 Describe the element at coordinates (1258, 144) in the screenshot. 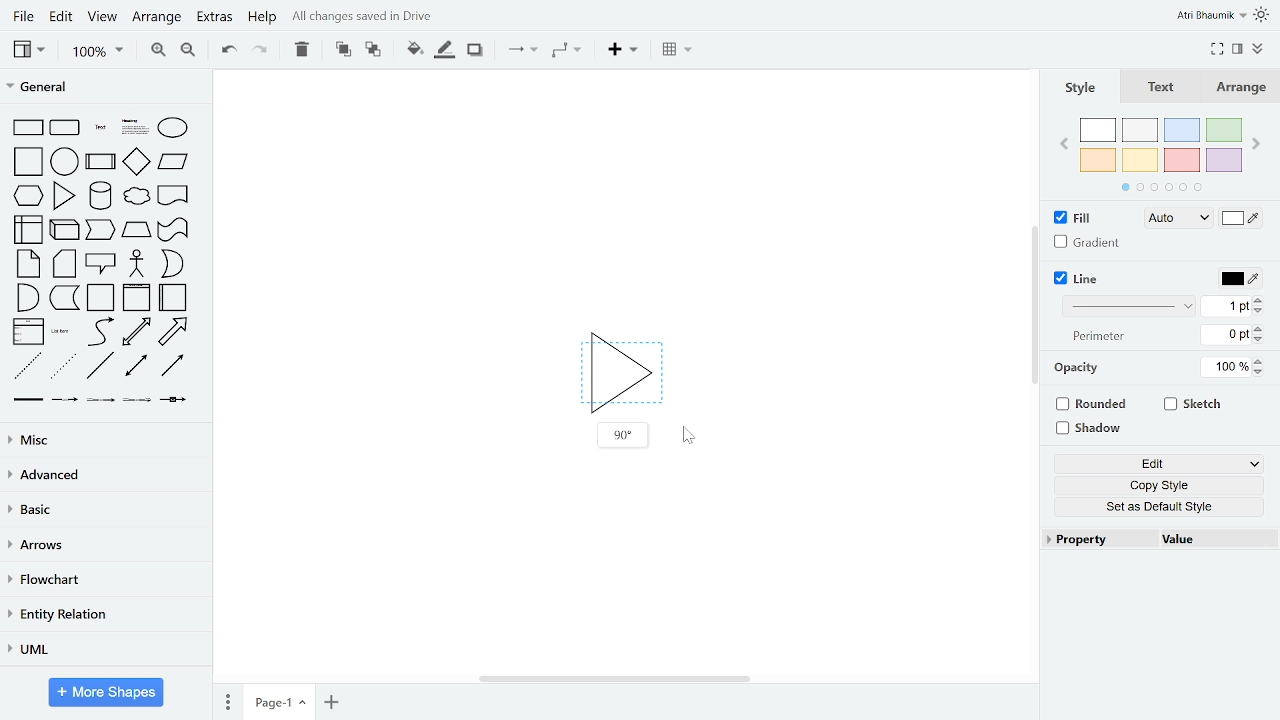

I see `next` at that location.